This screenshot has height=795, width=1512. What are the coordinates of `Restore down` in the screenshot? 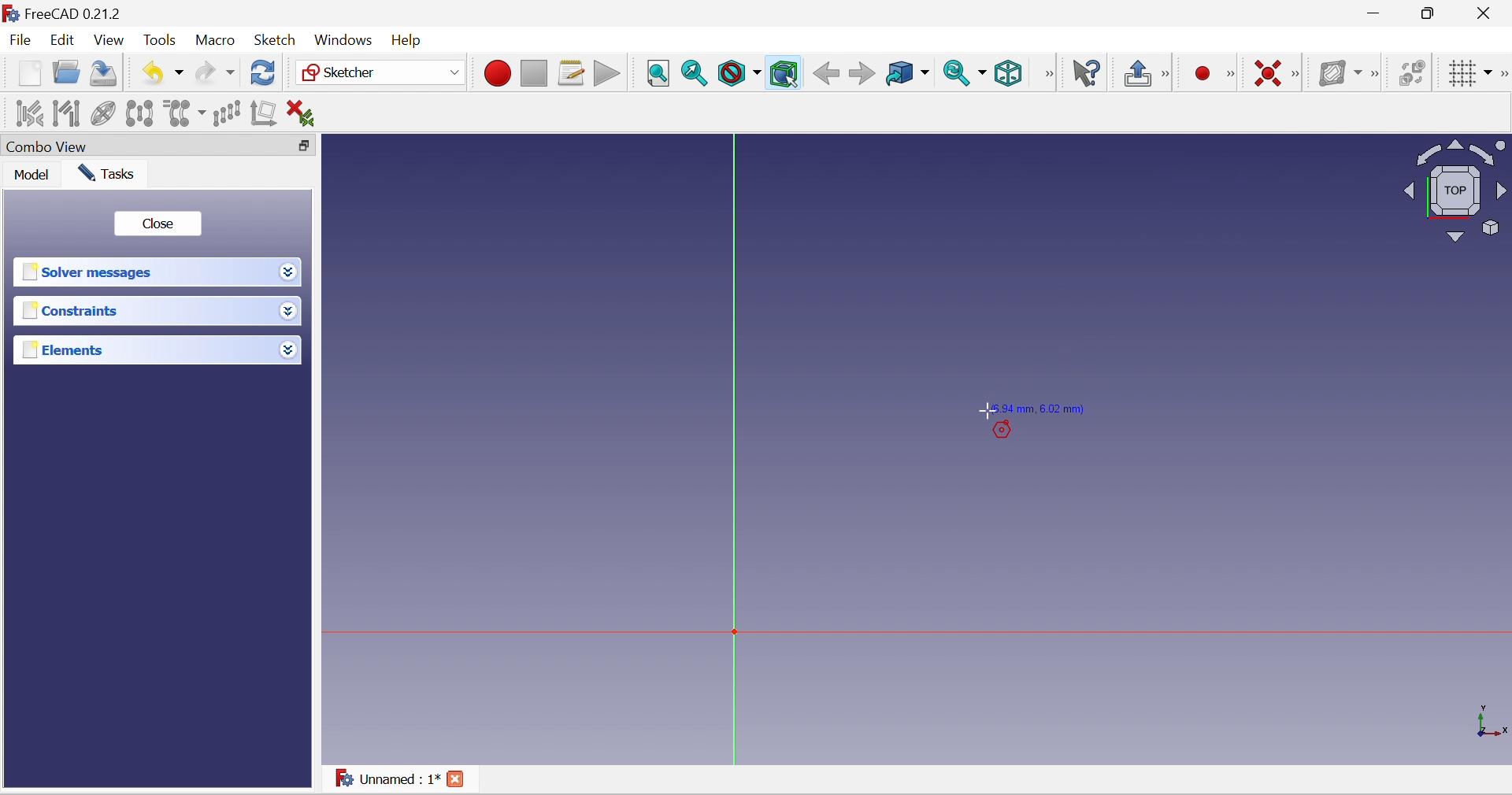 It's located at (306, 148).